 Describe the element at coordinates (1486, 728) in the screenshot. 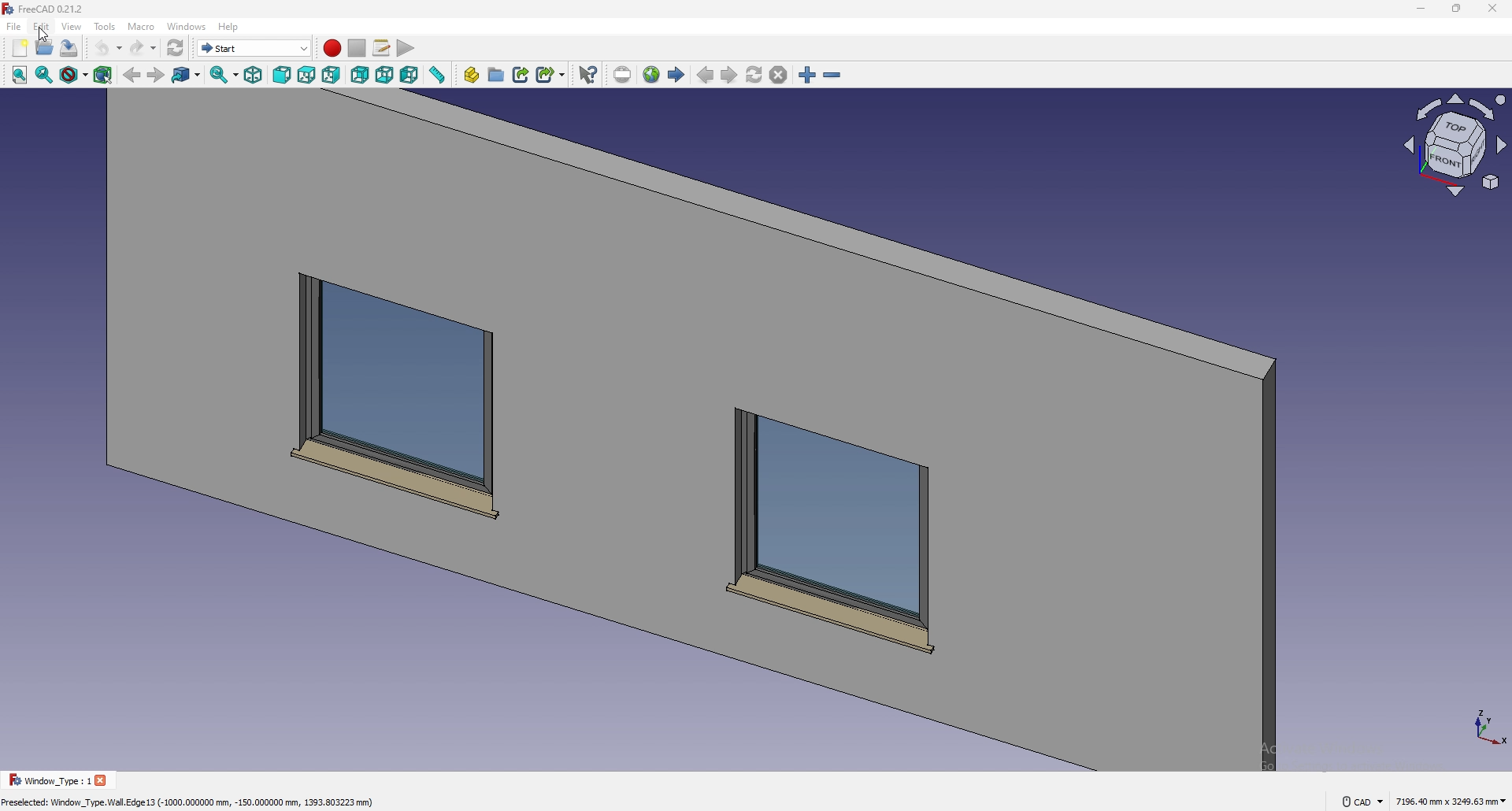

I see `tourus` at that location.